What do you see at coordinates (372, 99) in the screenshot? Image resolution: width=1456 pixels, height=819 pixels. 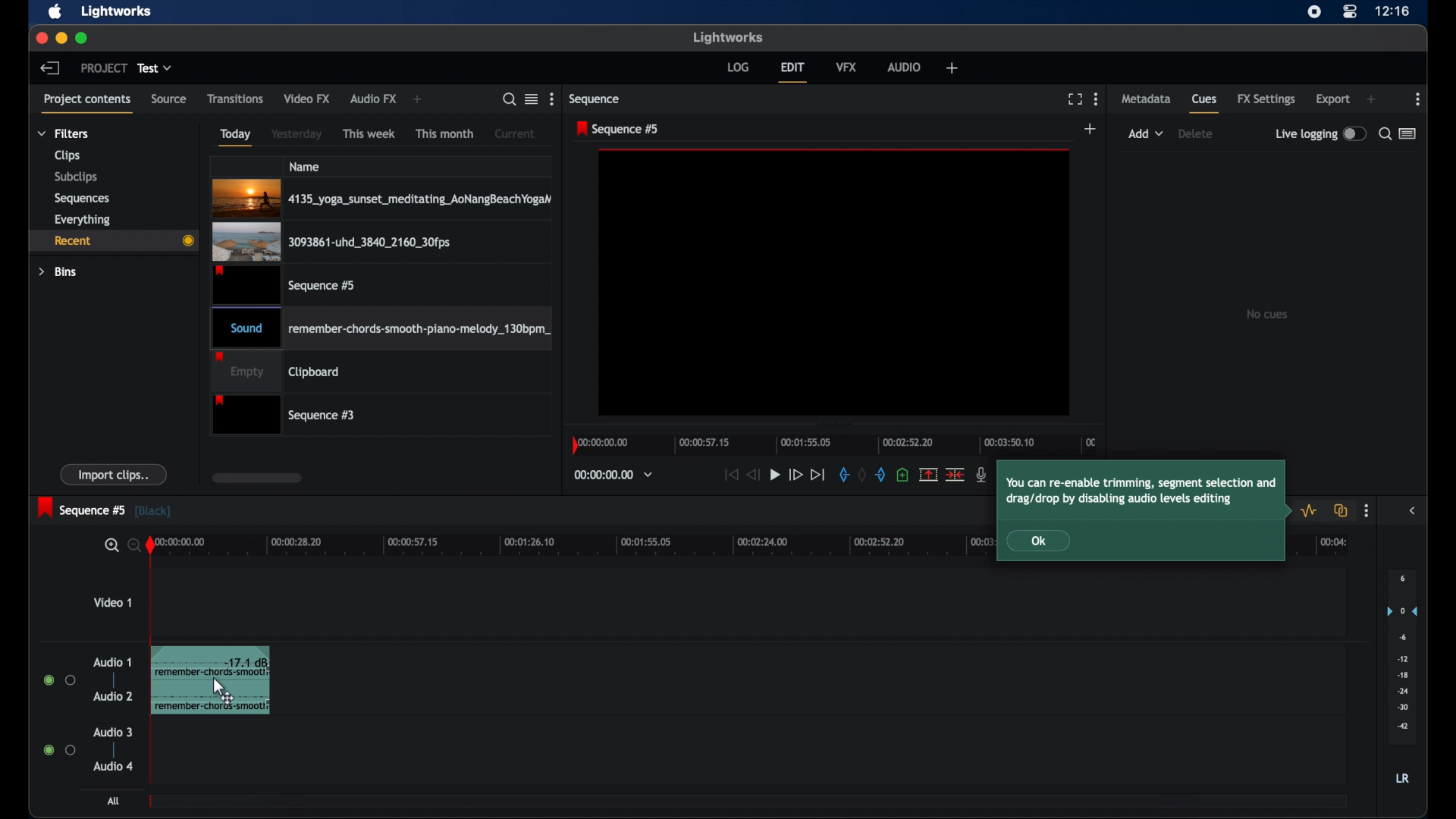 I see `audio fx` at bounding box center [372, 99].